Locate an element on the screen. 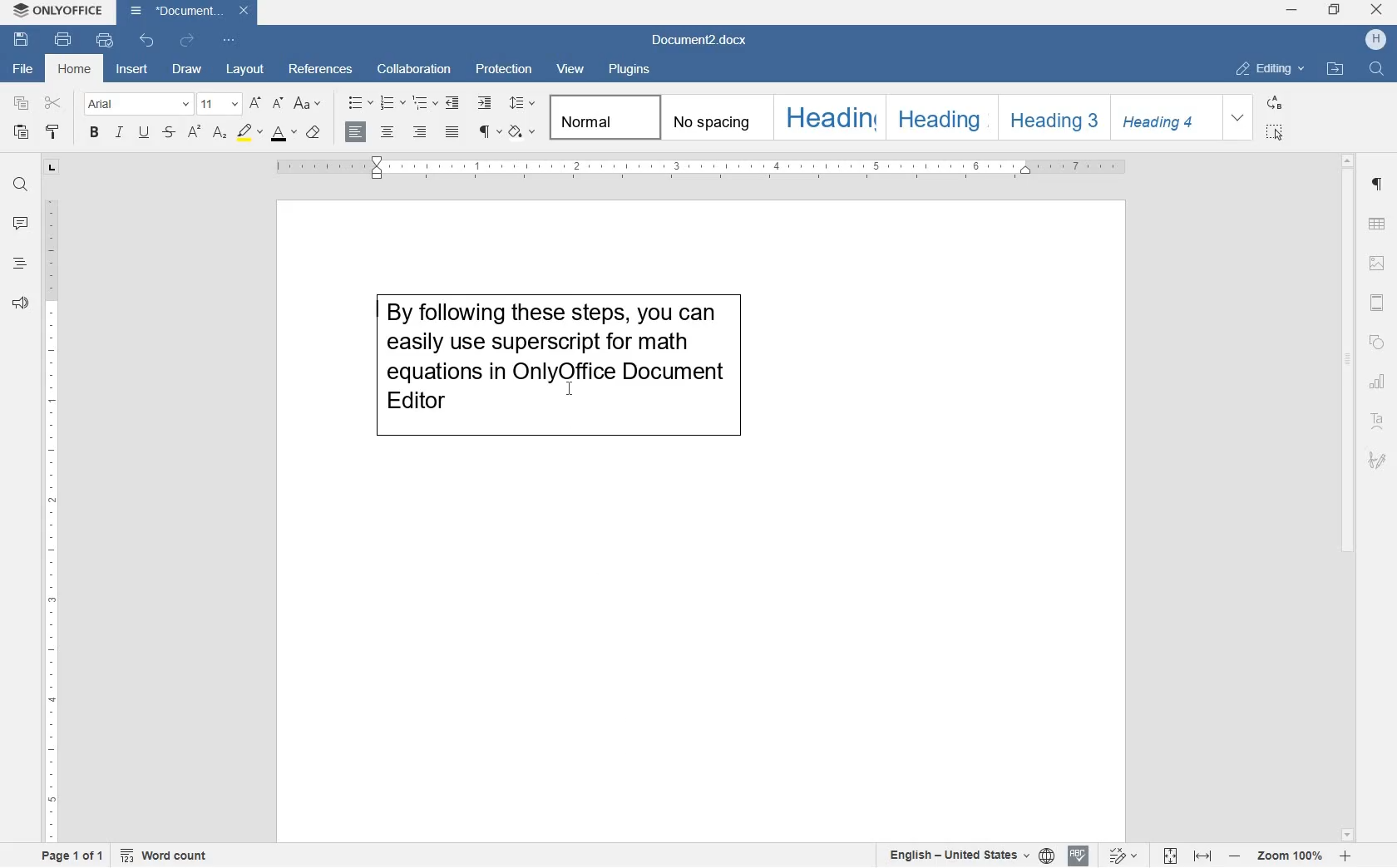  redo is located at coordinates (187, 42).